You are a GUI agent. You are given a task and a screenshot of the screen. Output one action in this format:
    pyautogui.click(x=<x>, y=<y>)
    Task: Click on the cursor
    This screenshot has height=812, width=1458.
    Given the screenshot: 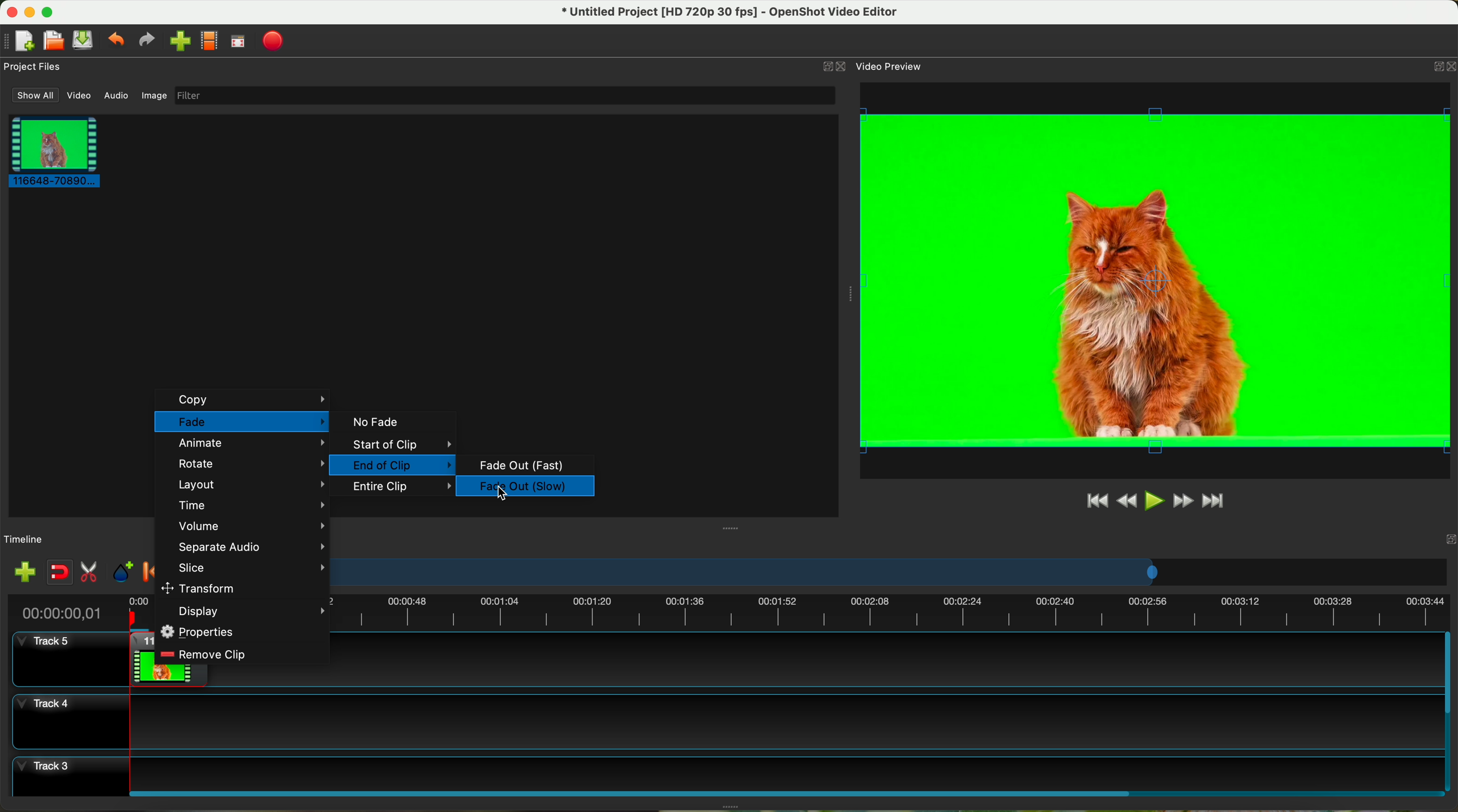 What is the action you would take?
    pyautogui.click(x=508, y=496)
    